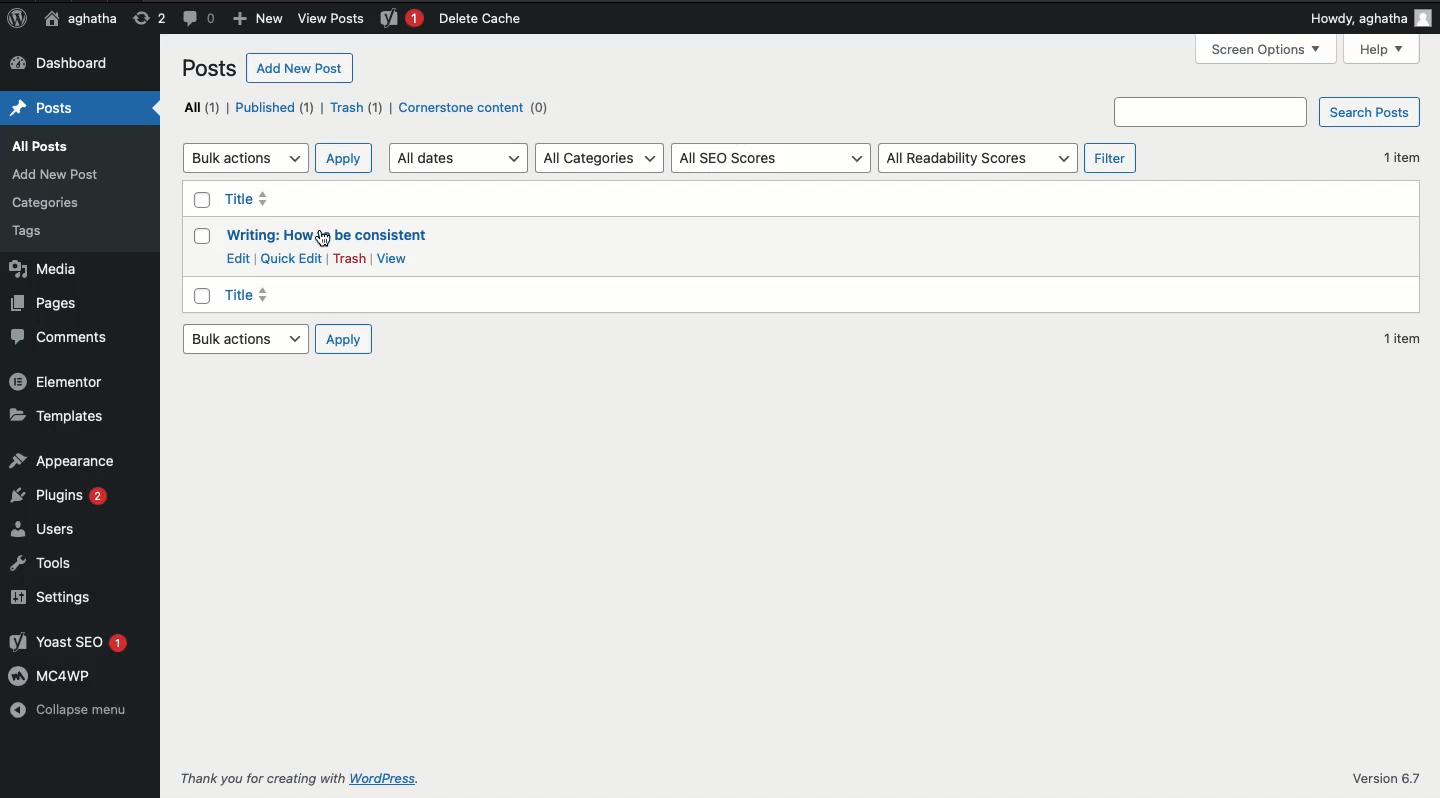 This screenshot has height=798, width=1440. I want to click on Appearance, so click(63, 459).